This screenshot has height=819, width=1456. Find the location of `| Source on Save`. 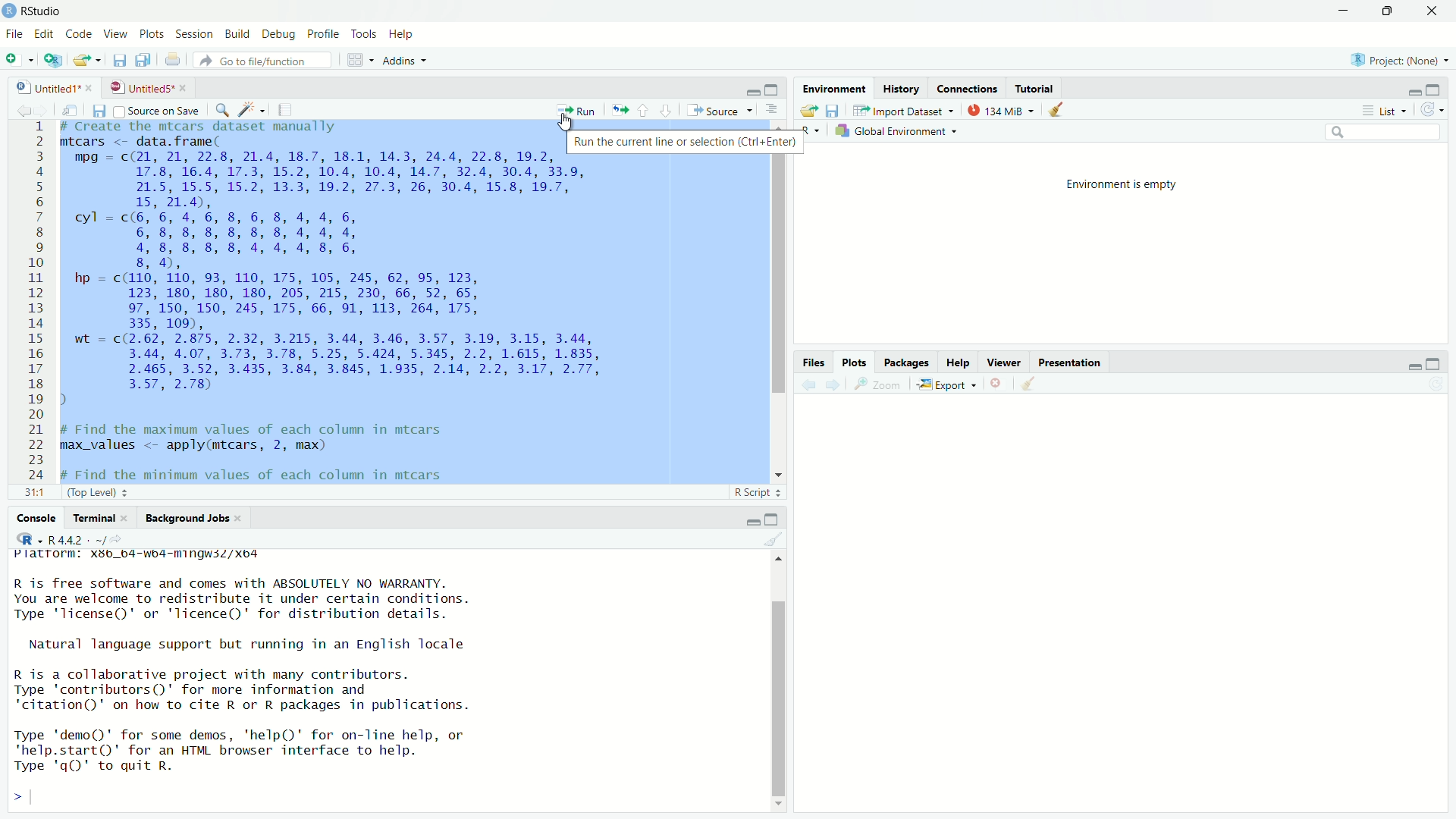

| Source on Save is located at coordinates (157, 111).